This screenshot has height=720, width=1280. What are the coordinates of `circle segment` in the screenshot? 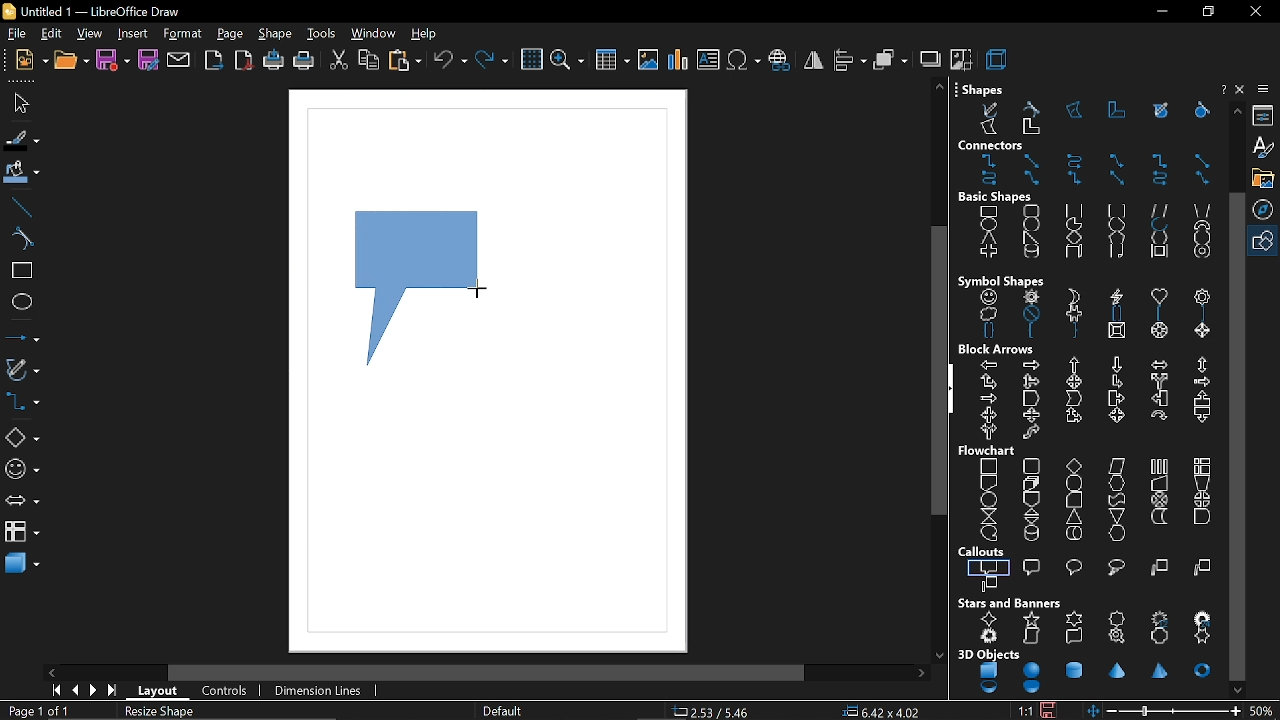 It's located at (1116, 225).